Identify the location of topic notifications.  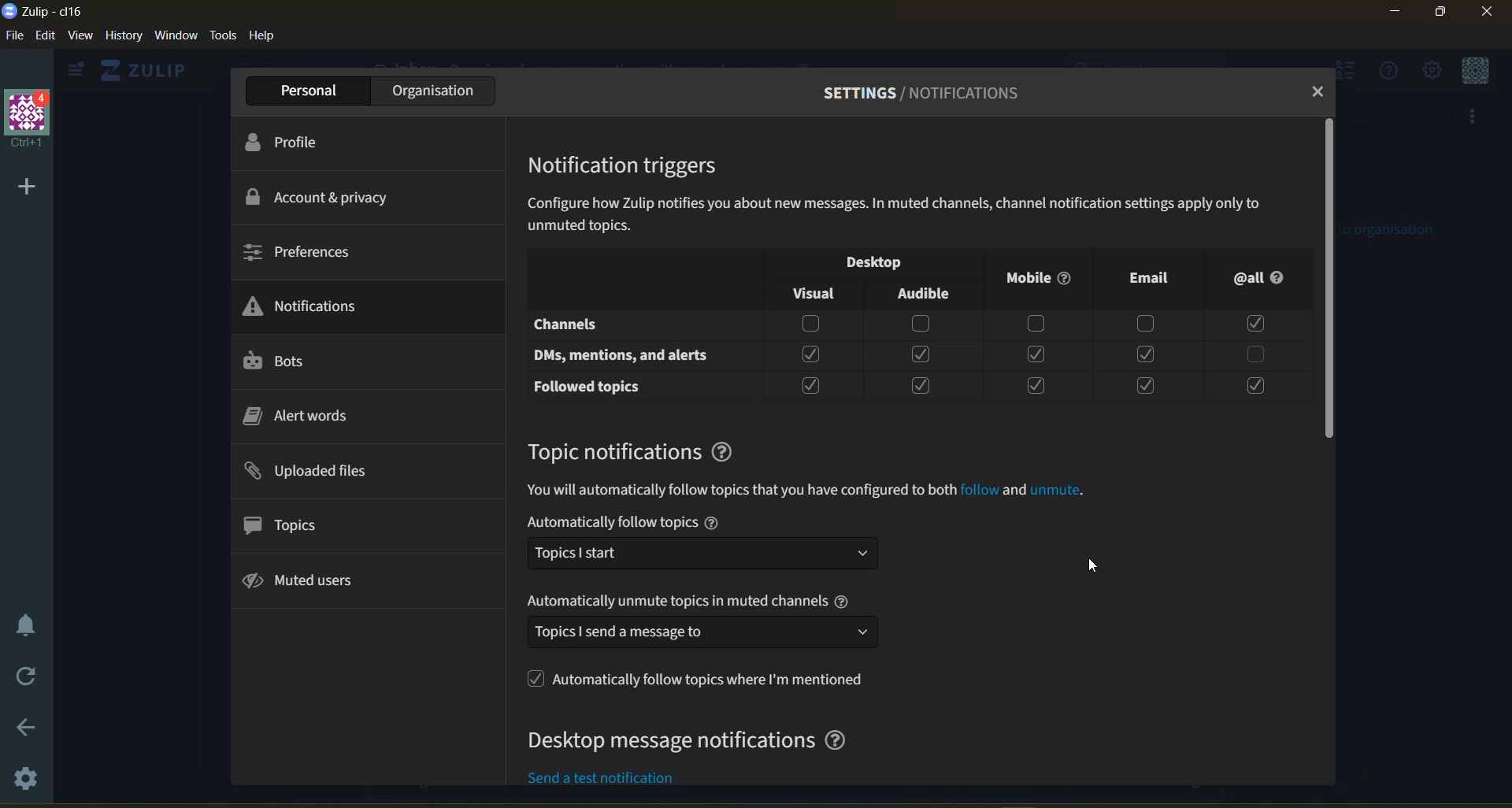
(642, 452).